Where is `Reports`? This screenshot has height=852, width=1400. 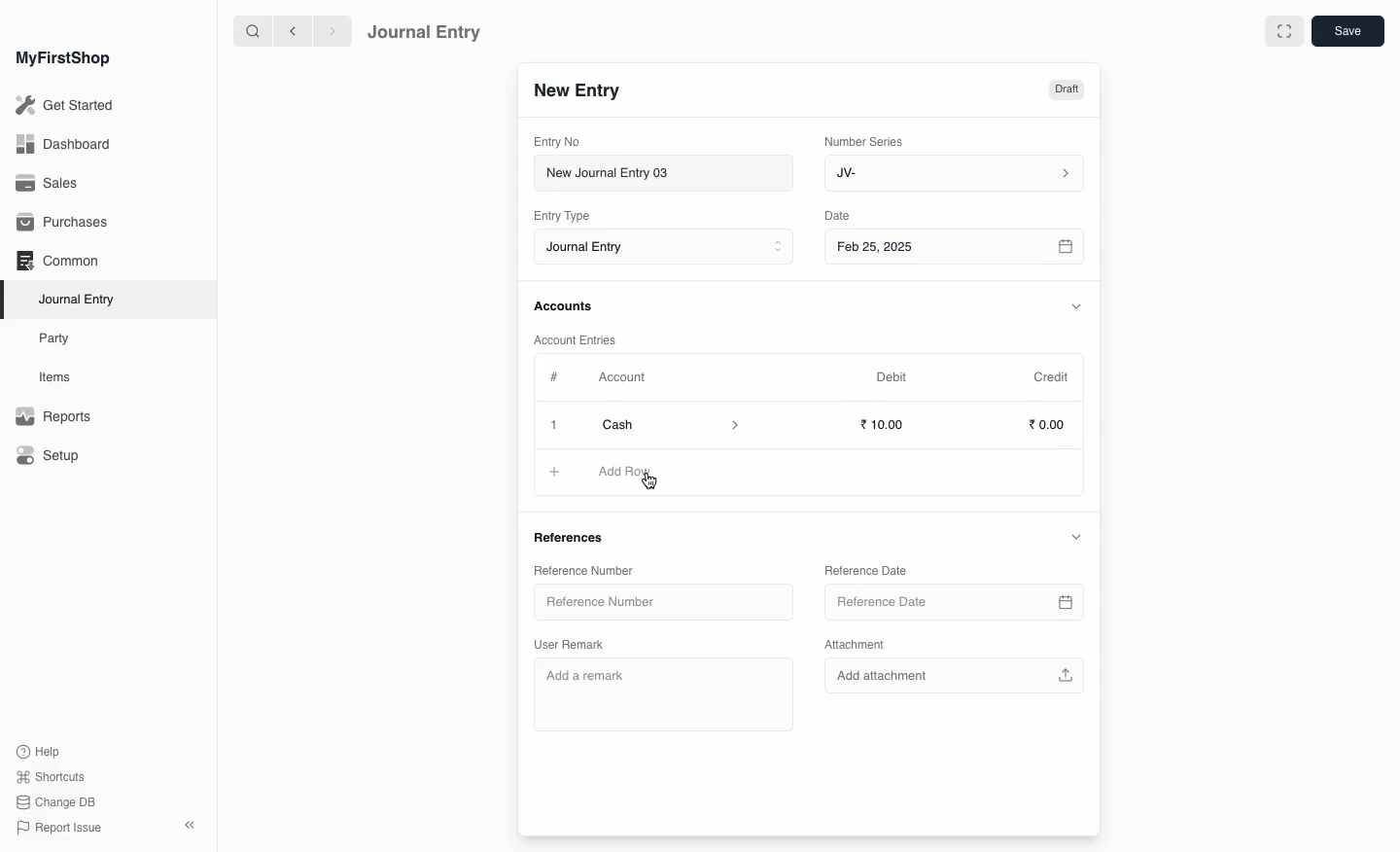 Reports is located at coordinates (52, 417).